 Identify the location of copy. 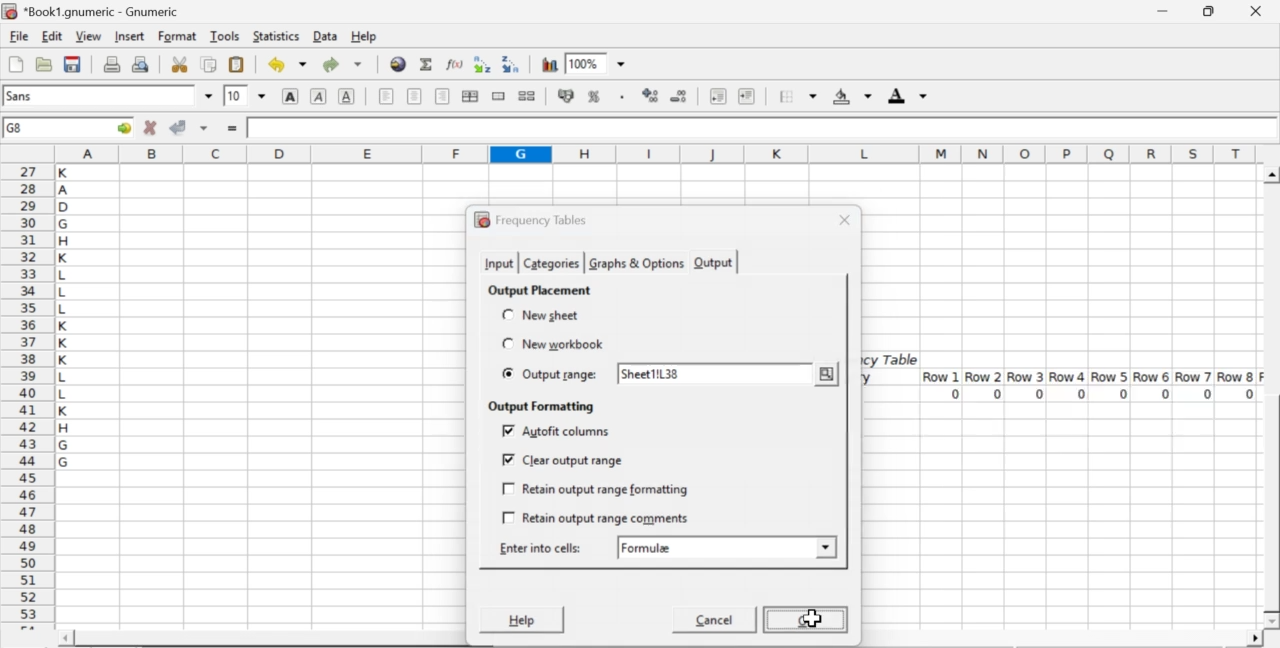
(210, 64).